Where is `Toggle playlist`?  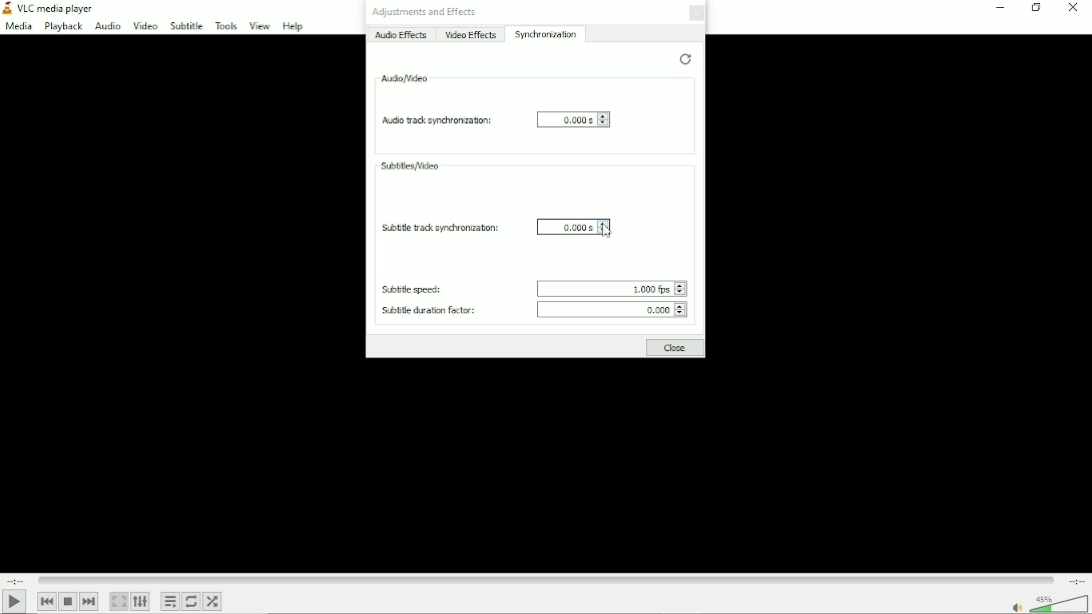
Toggle playlist is located at coordinates (170, 601).